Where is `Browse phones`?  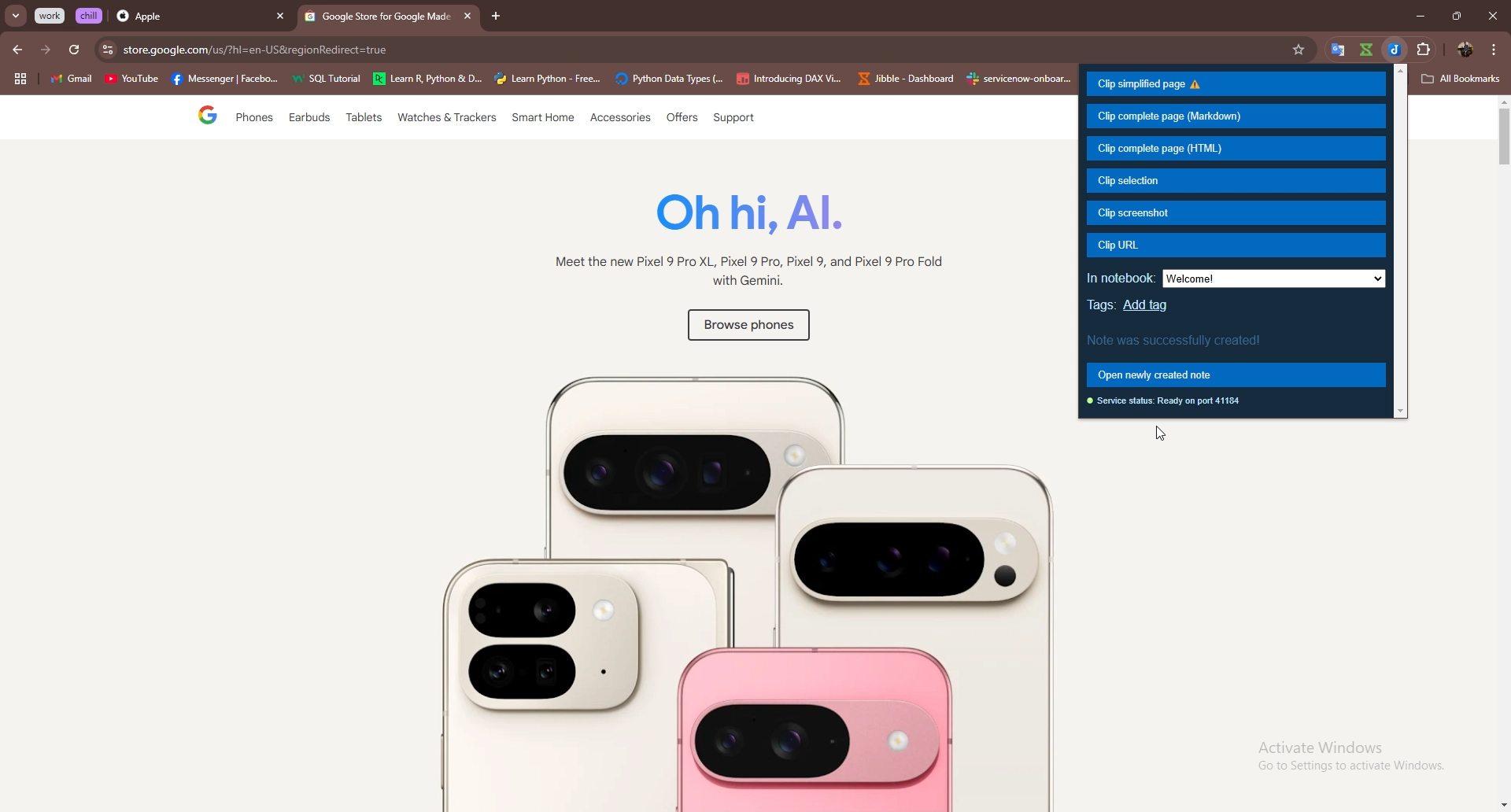 Browse phones is located at coordinates (746, 328).